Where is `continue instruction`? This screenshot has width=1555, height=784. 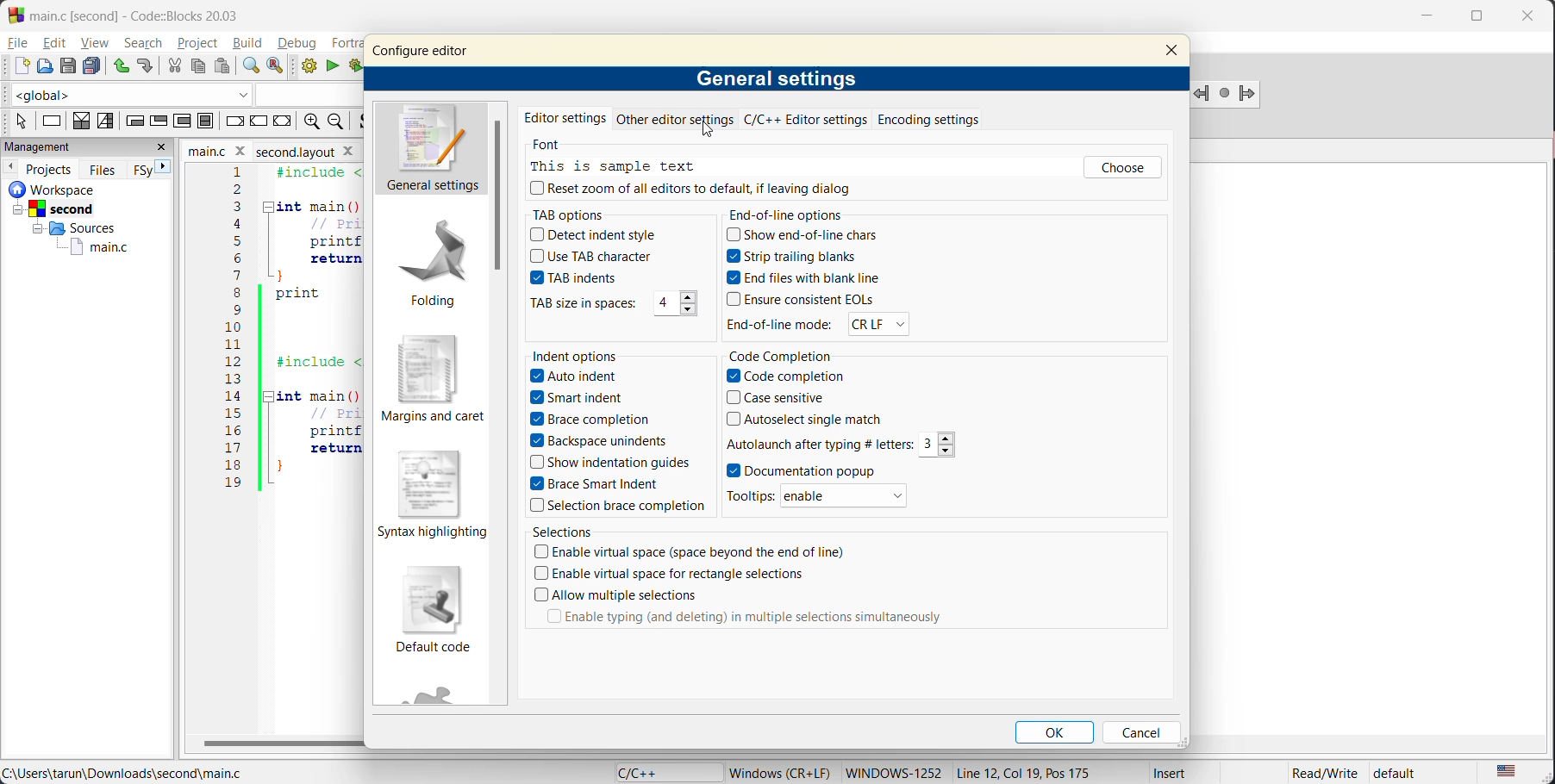 continue instruction is located at coordinates (259, 121).